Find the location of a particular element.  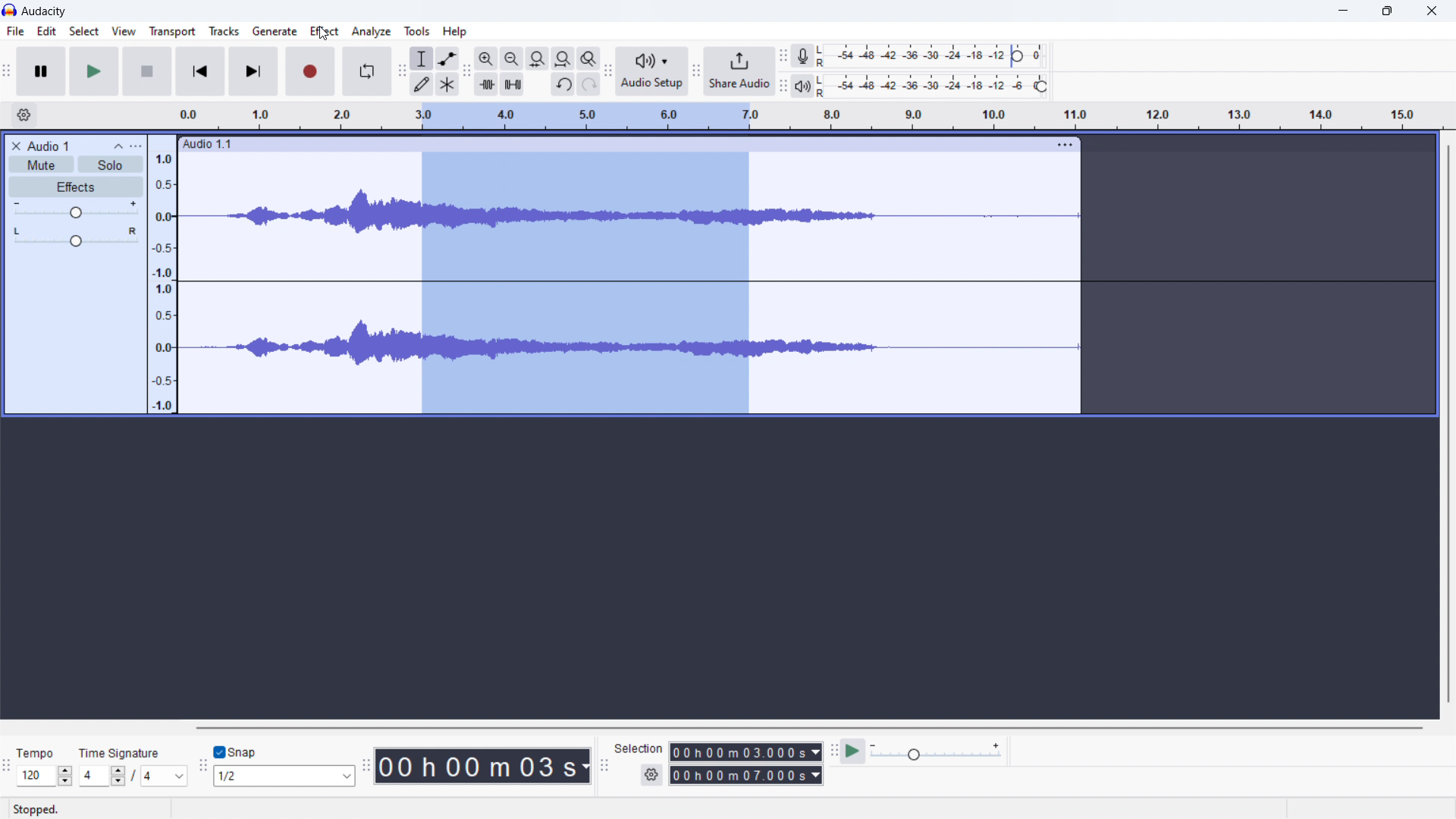

trim audio outside selection is located at coordinates (488, 84).